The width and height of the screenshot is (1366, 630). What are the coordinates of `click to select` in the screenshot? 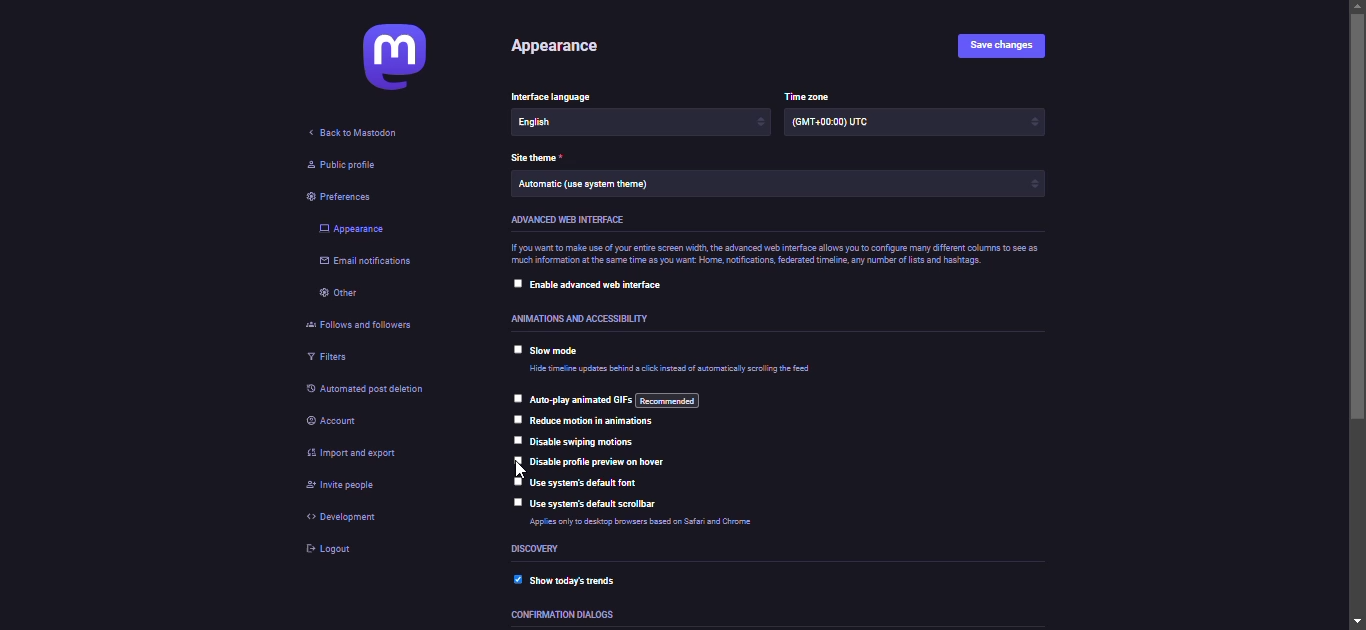 It's located at (516, 460).